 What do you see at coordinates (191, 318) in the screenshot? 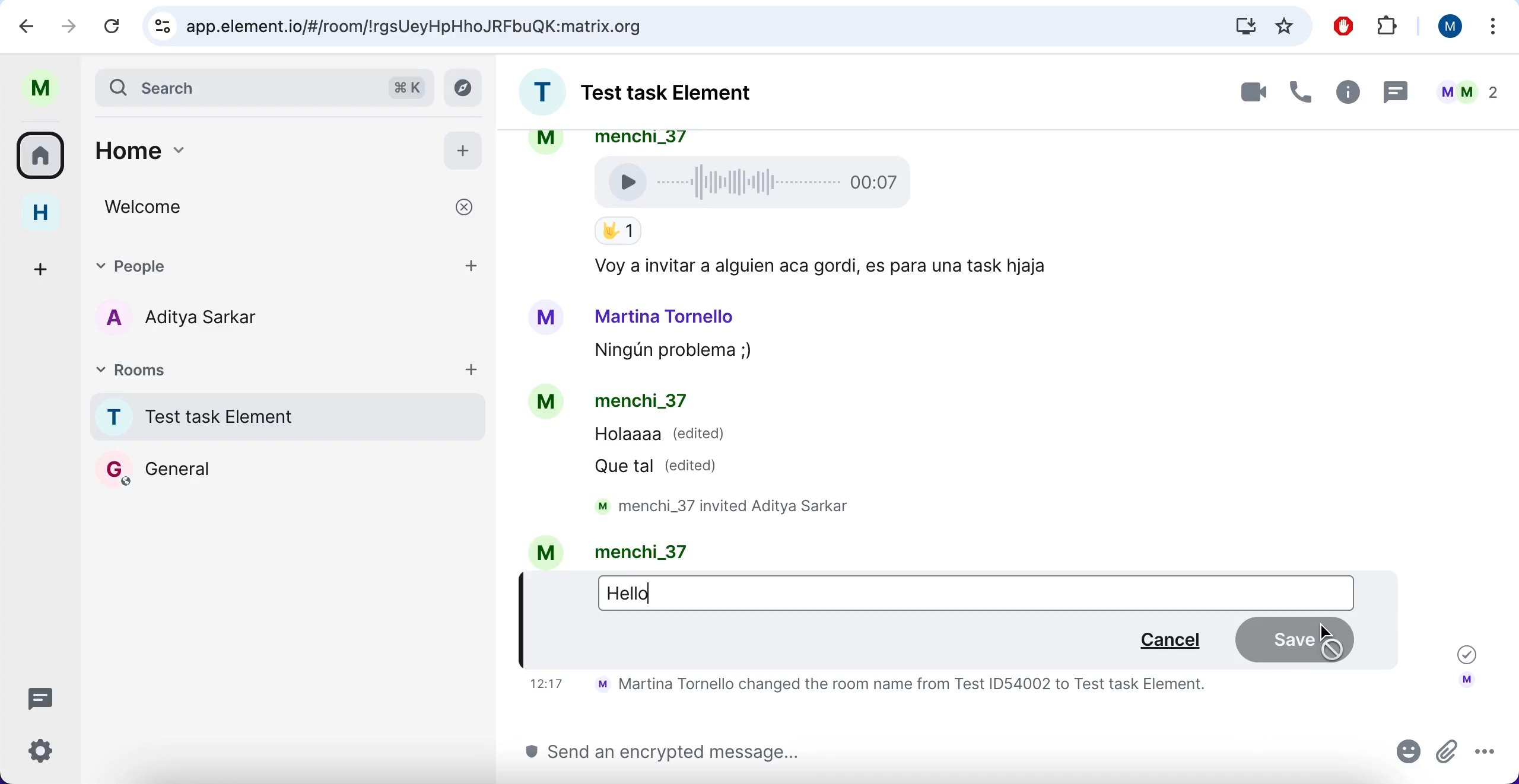
I see `chat member` at bounding box center [191, 318].